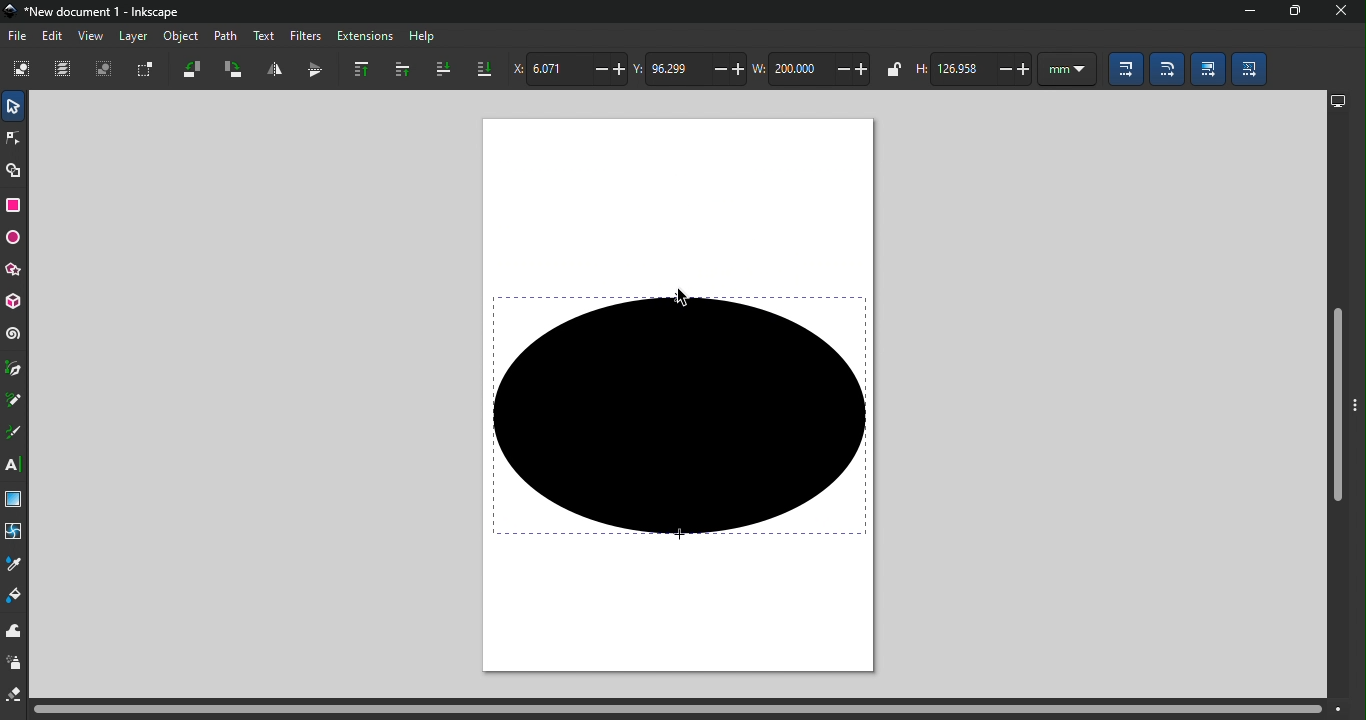  I want to click on Toggle command bar, so click(1358, 400).